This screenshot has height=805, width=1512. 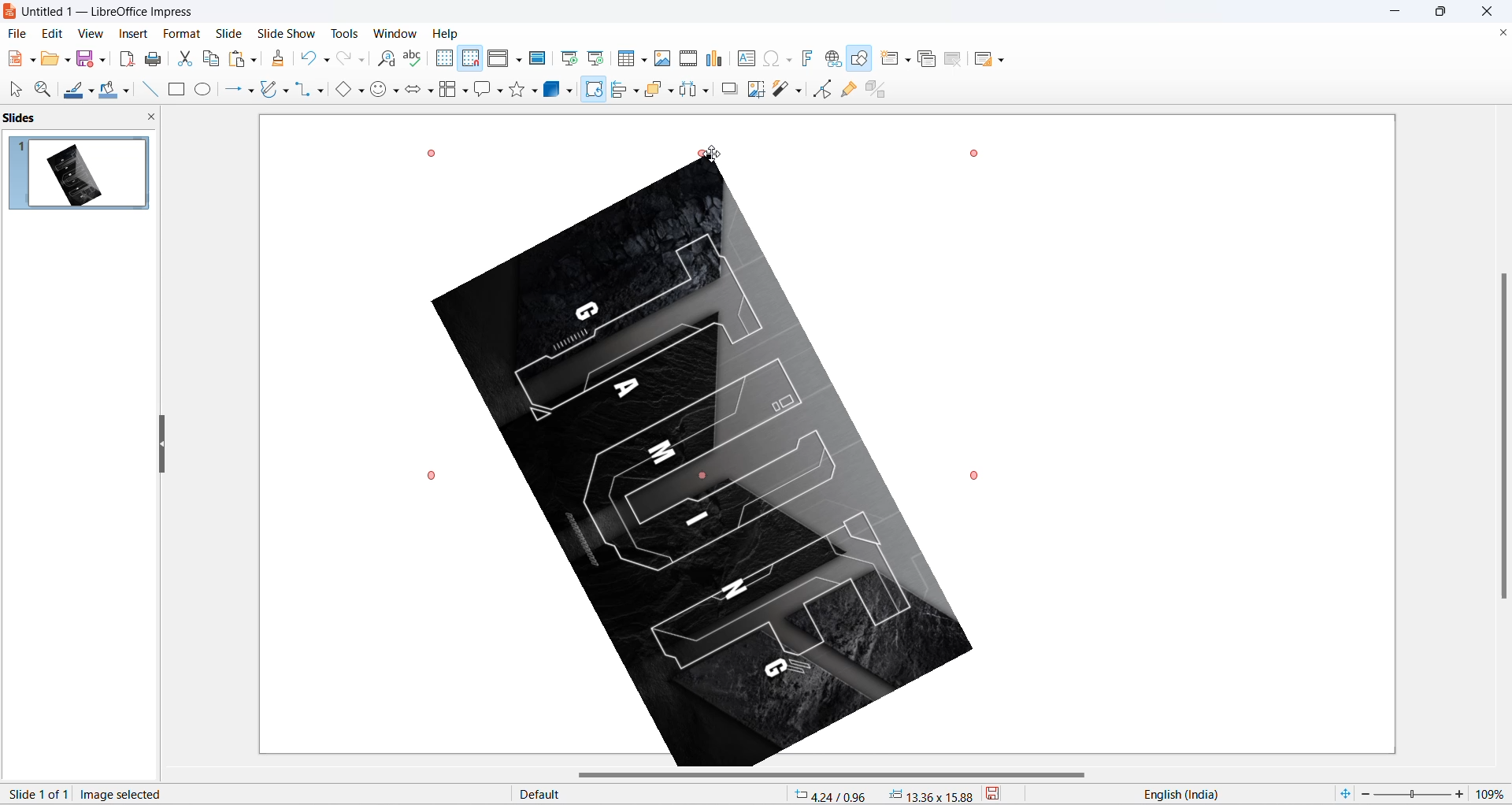 What do you see at coordinates (434, 476) in the screenshot?
I see `image selection markup` at bounding box center [434, 476].